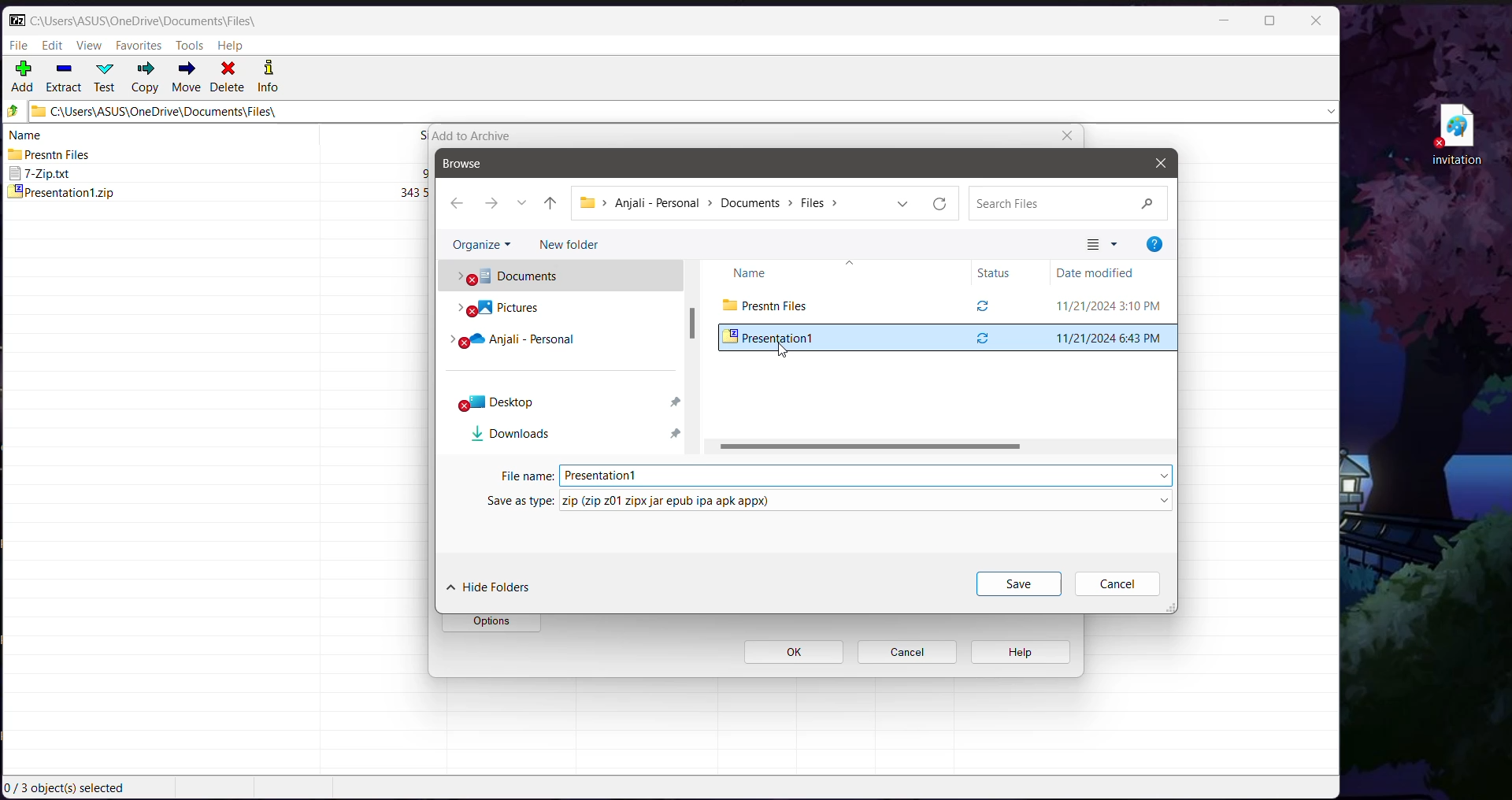 The width and height of the screenshot is (1512, 800). What do you see at coordinates (1020, 584) in the screenshot?
I see `Save` at bounding box center [1020, 584].